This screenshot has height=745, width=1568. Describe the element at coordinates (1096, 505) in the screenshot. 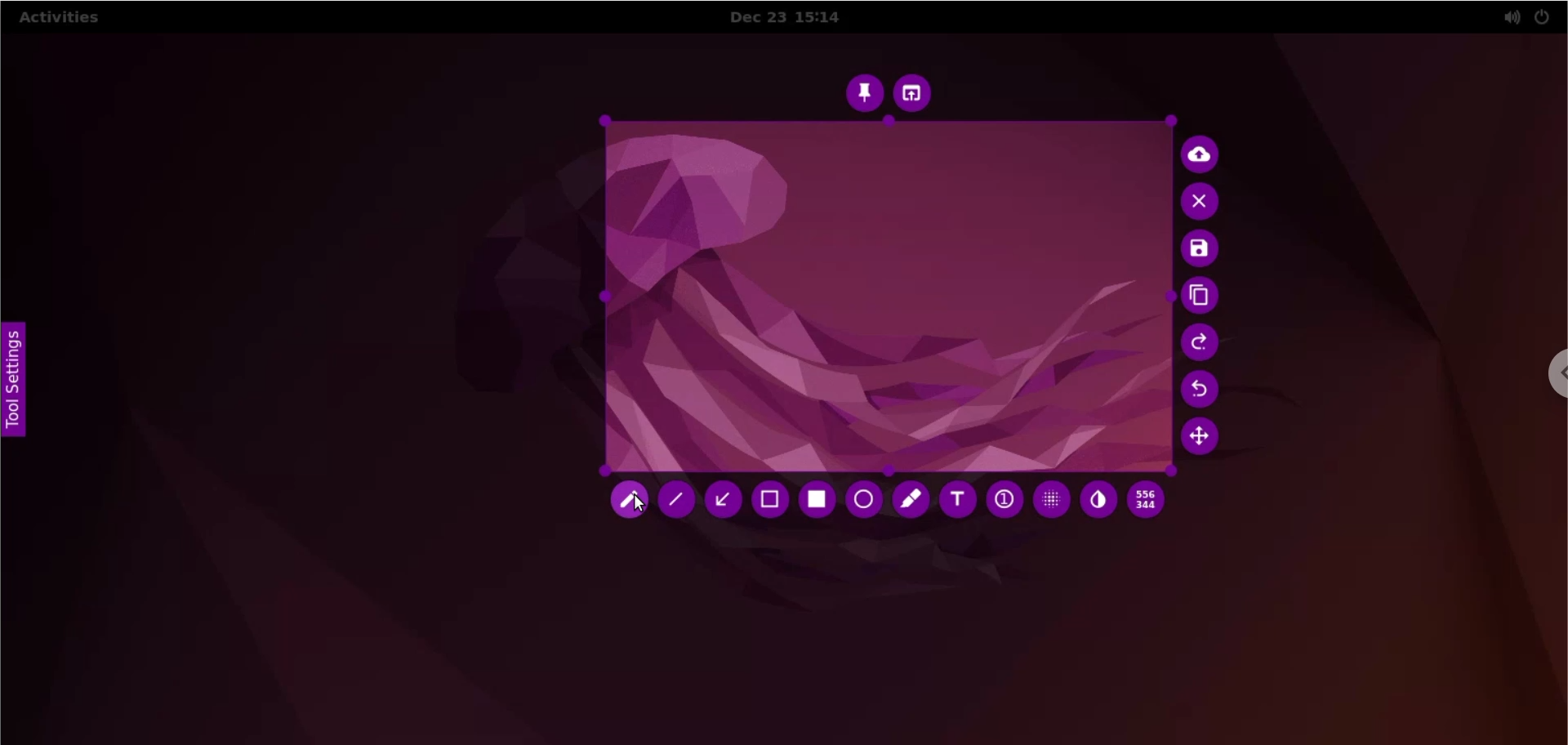

I see `inverter tool` at that location.